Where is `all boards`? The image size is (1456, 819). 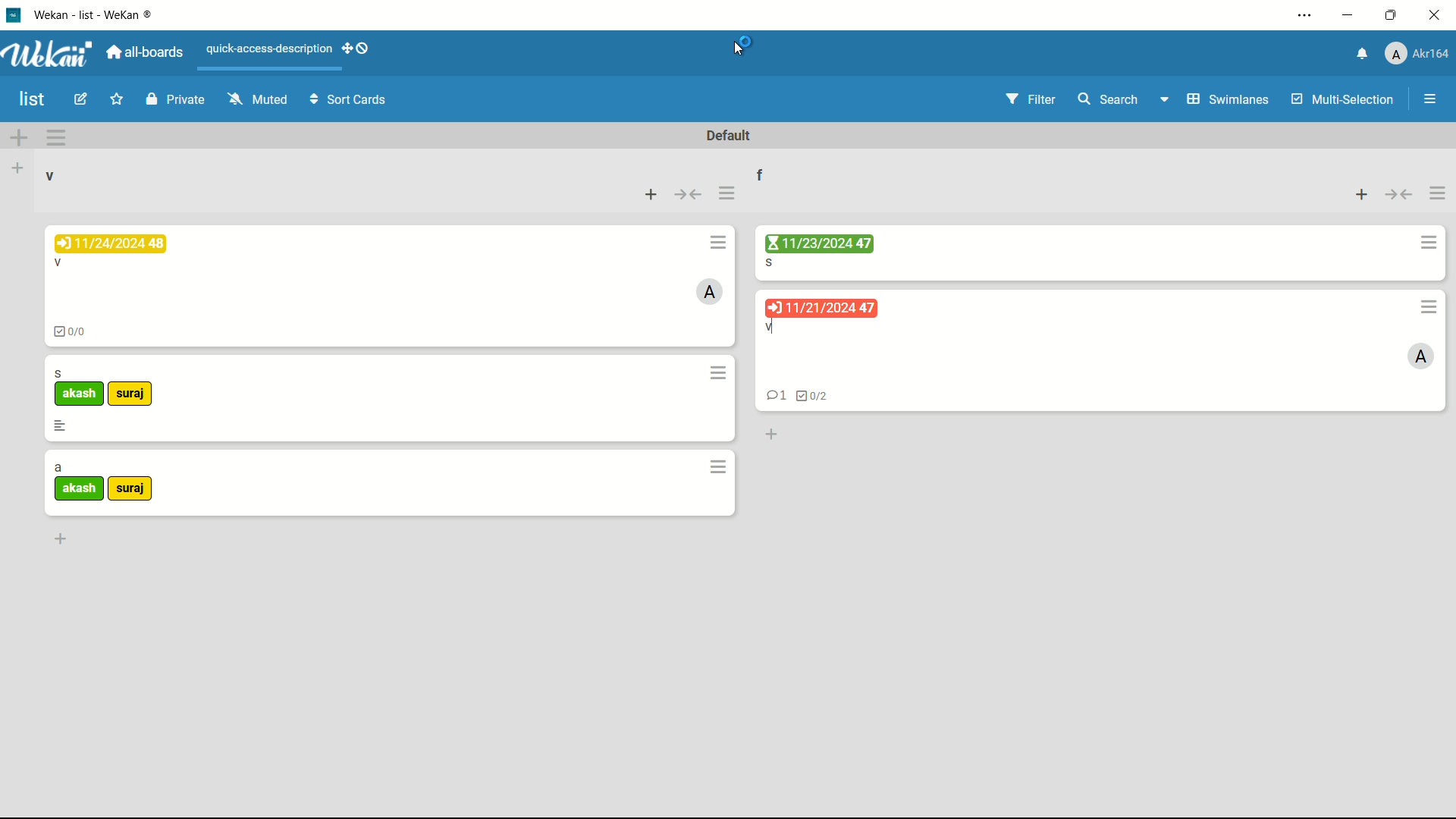 all boards is located at coordinates (143, 54).